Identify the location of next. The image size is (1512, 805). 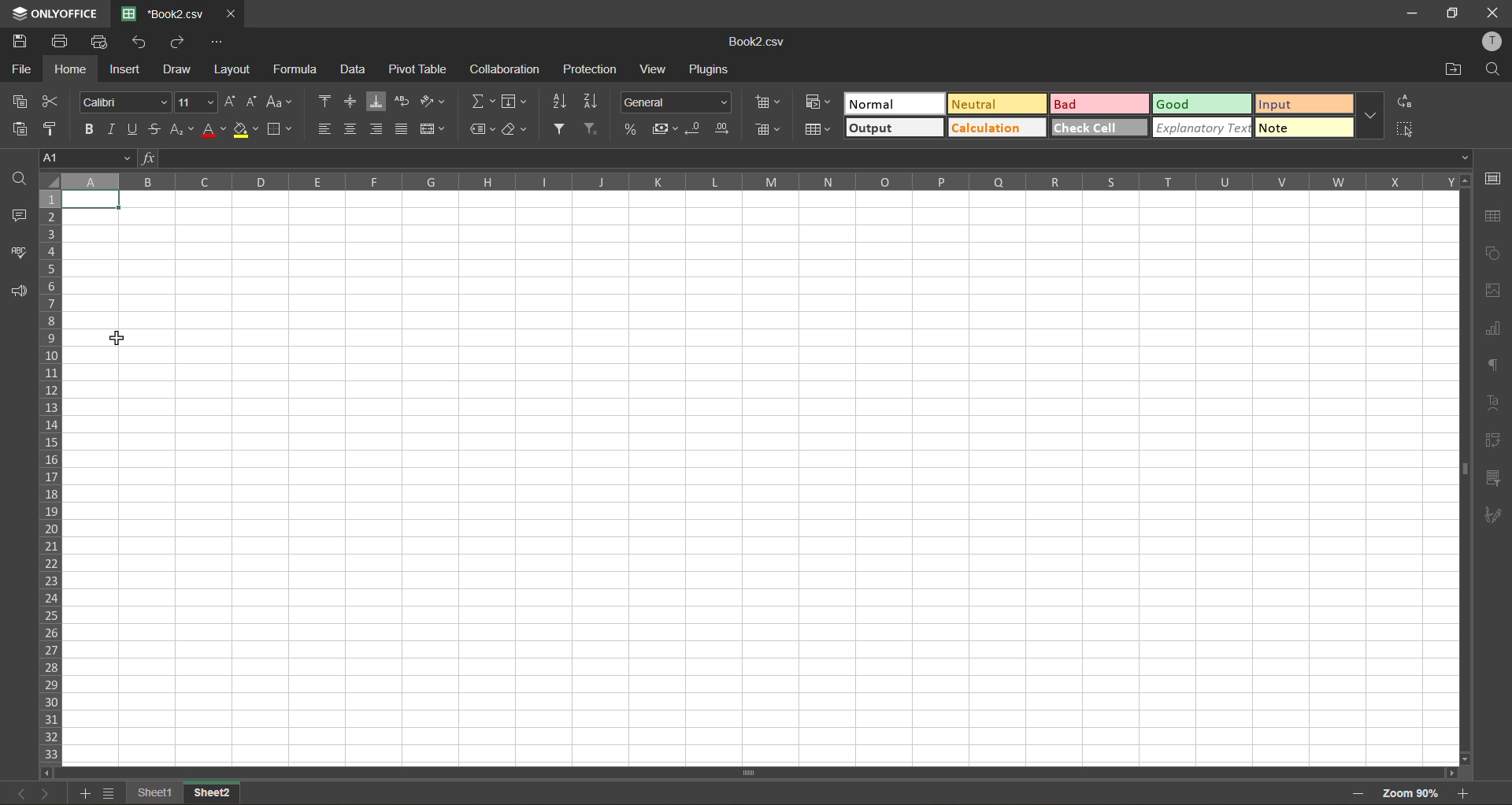
(43, 793).